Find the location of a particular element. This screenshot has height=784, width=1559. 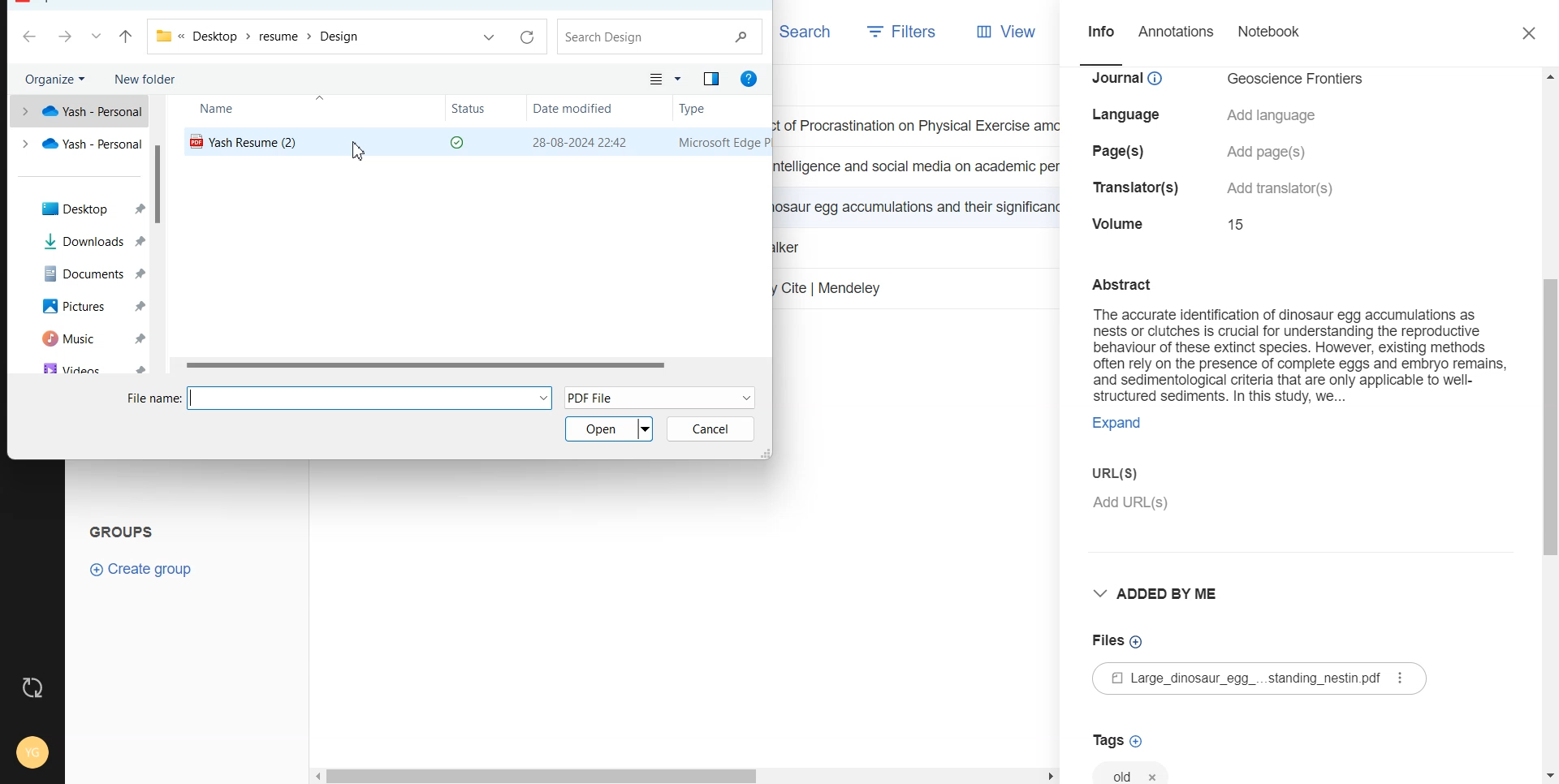

details is located at coordinates (1132, 115).